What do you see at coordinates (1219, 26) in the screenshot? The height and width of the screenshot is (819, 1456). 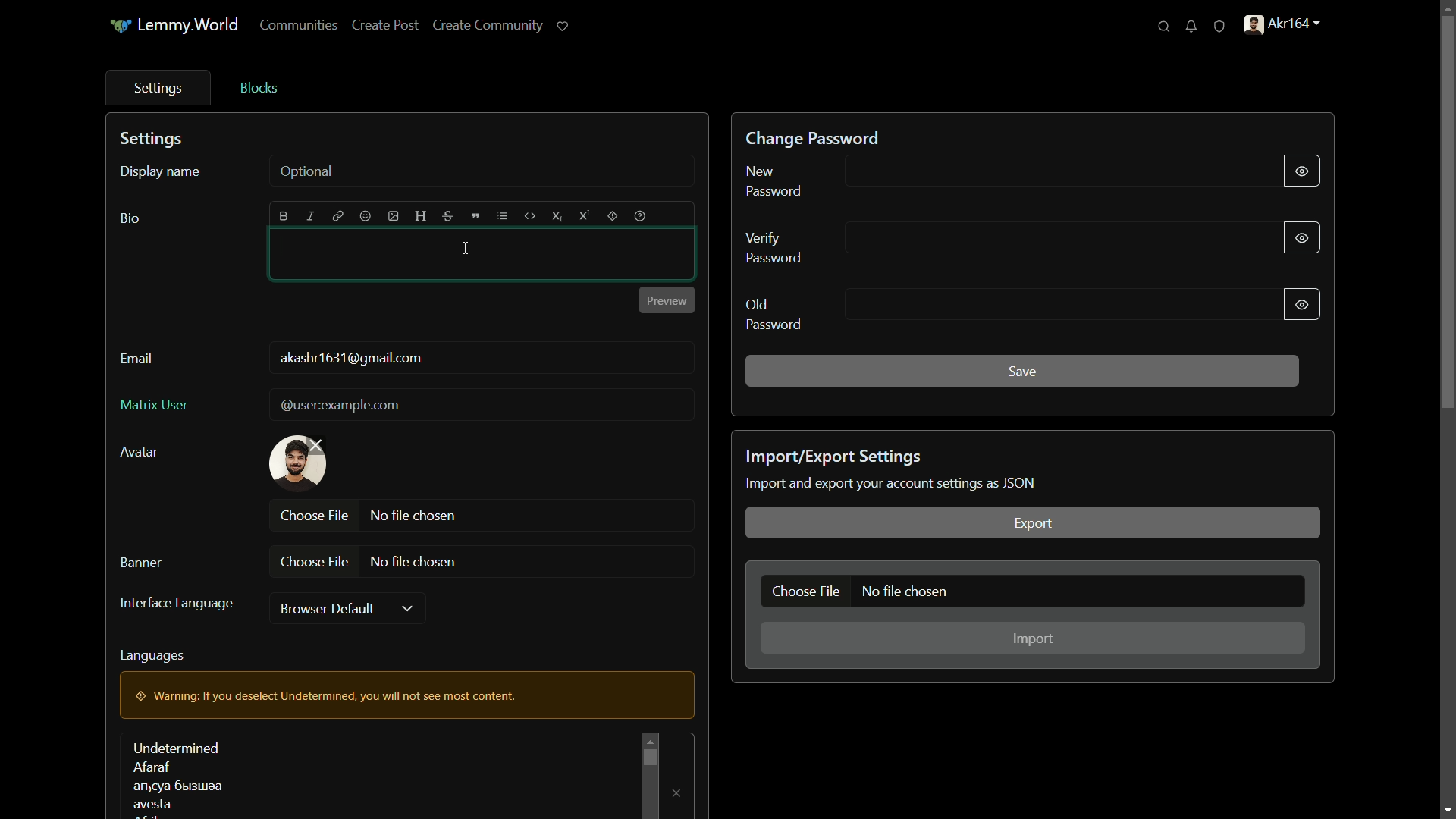 I see `unread reports` at bounding box center [1219, 26].